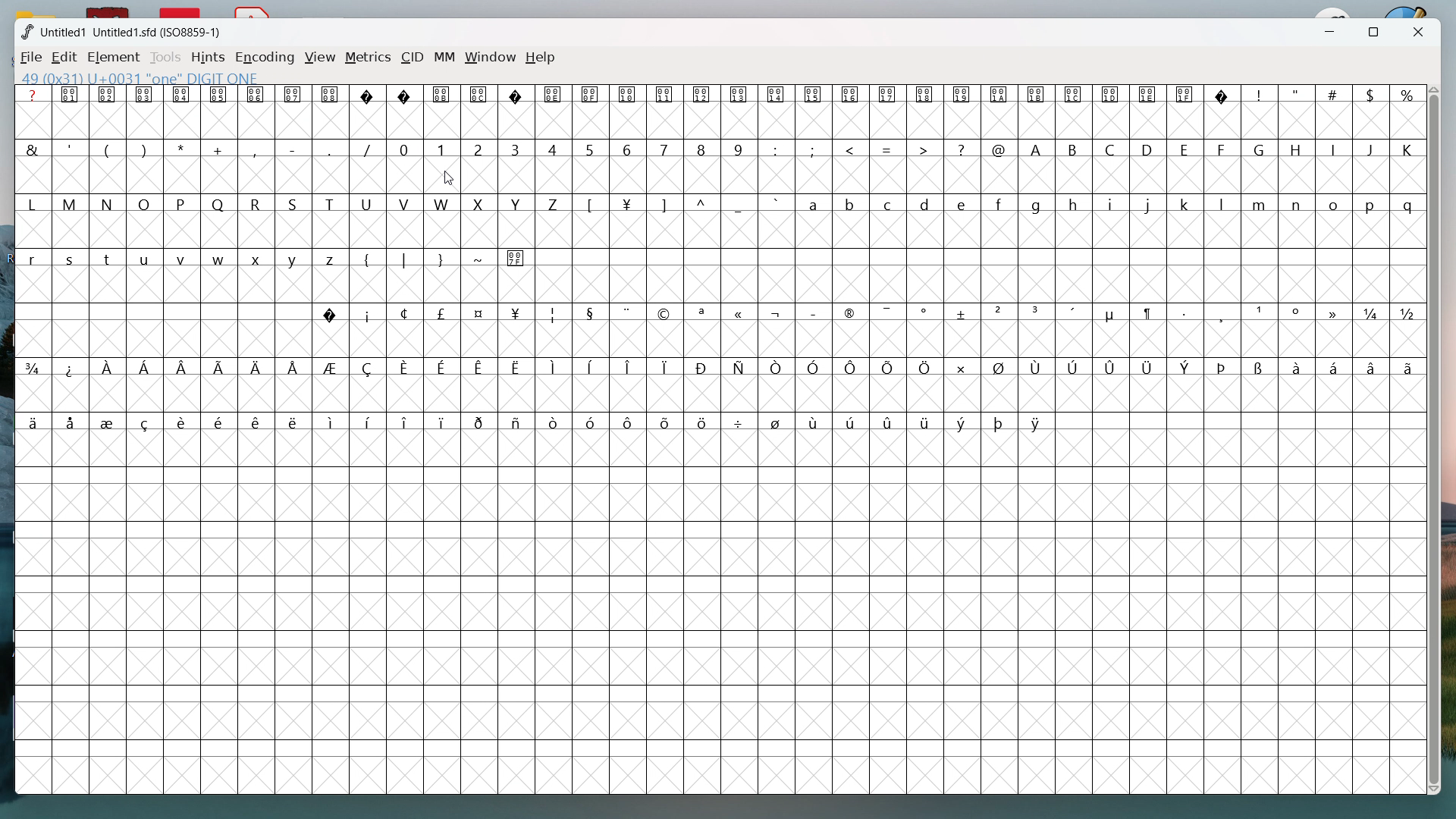 The image size is (1456, 819). I want to click on d, so click(926, 203).